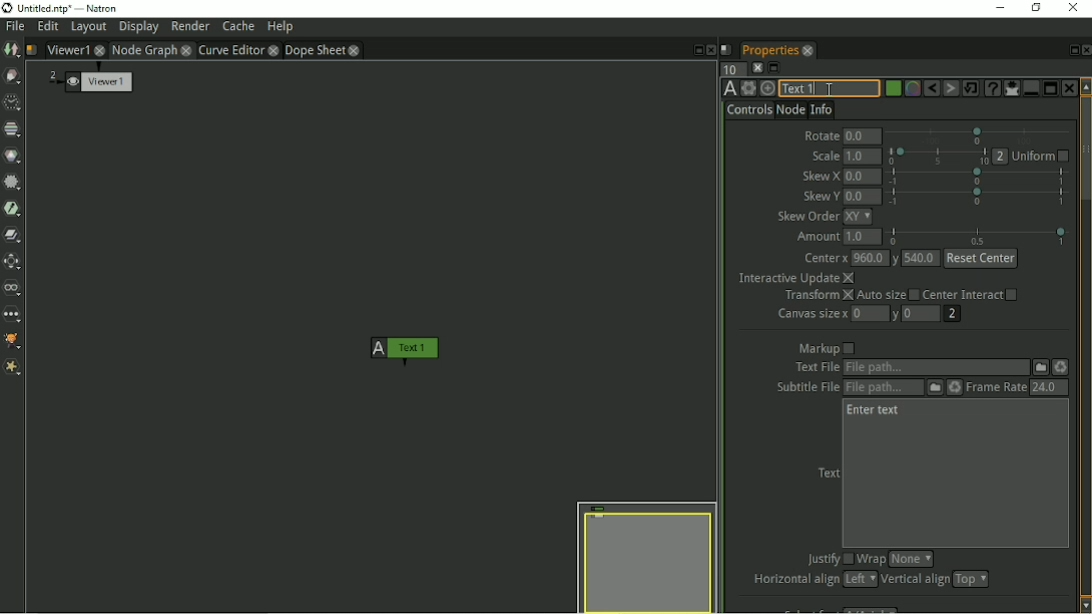 The width and height of the screenshot is (1092, 614). Describe the element at coordinates (992, 88) in the screenshot. I see `Advanced text generator node` at that location.